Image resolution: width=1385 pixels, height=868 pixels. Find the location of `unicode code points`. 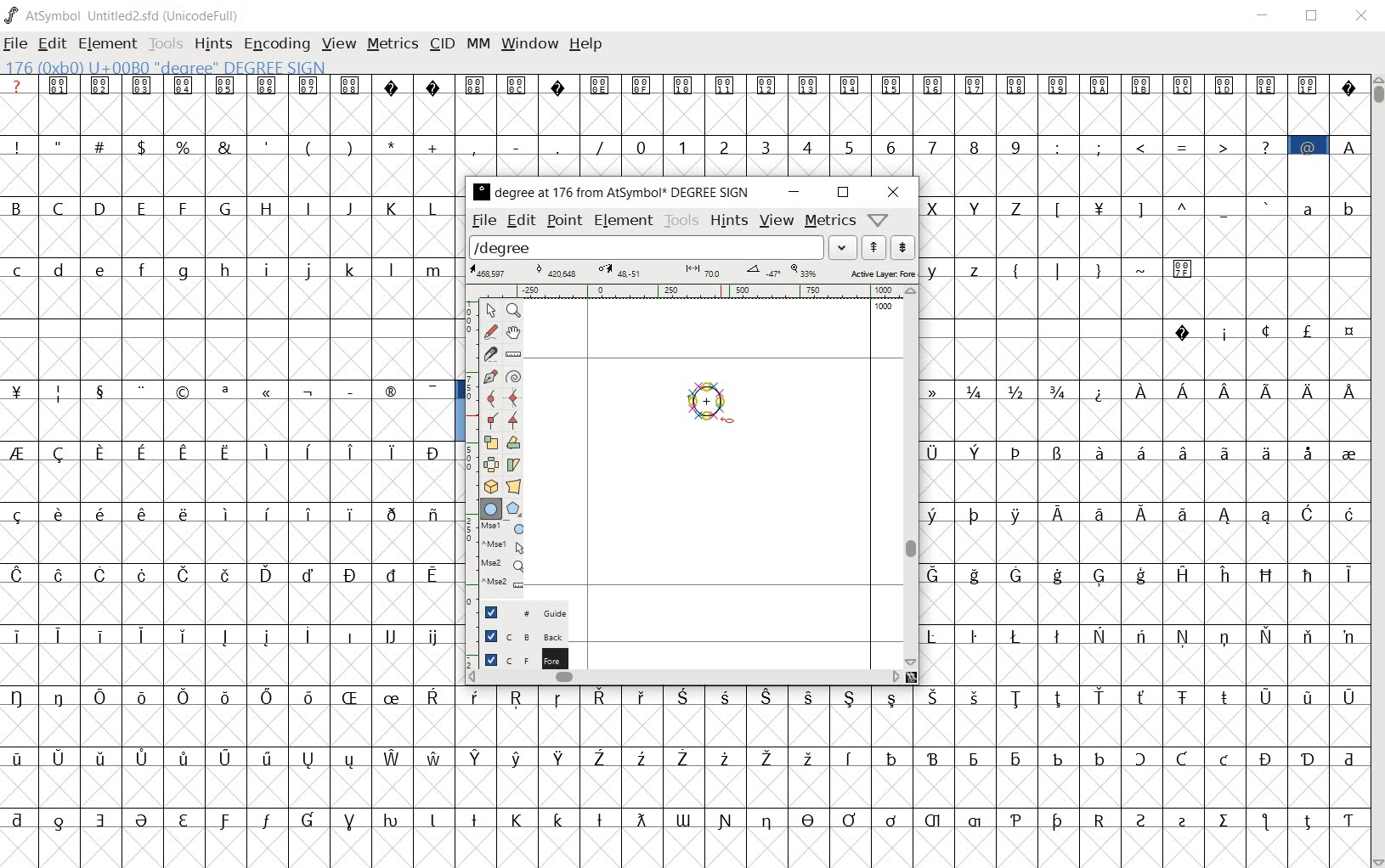

unicode code points is located at coordinates (204, 85).